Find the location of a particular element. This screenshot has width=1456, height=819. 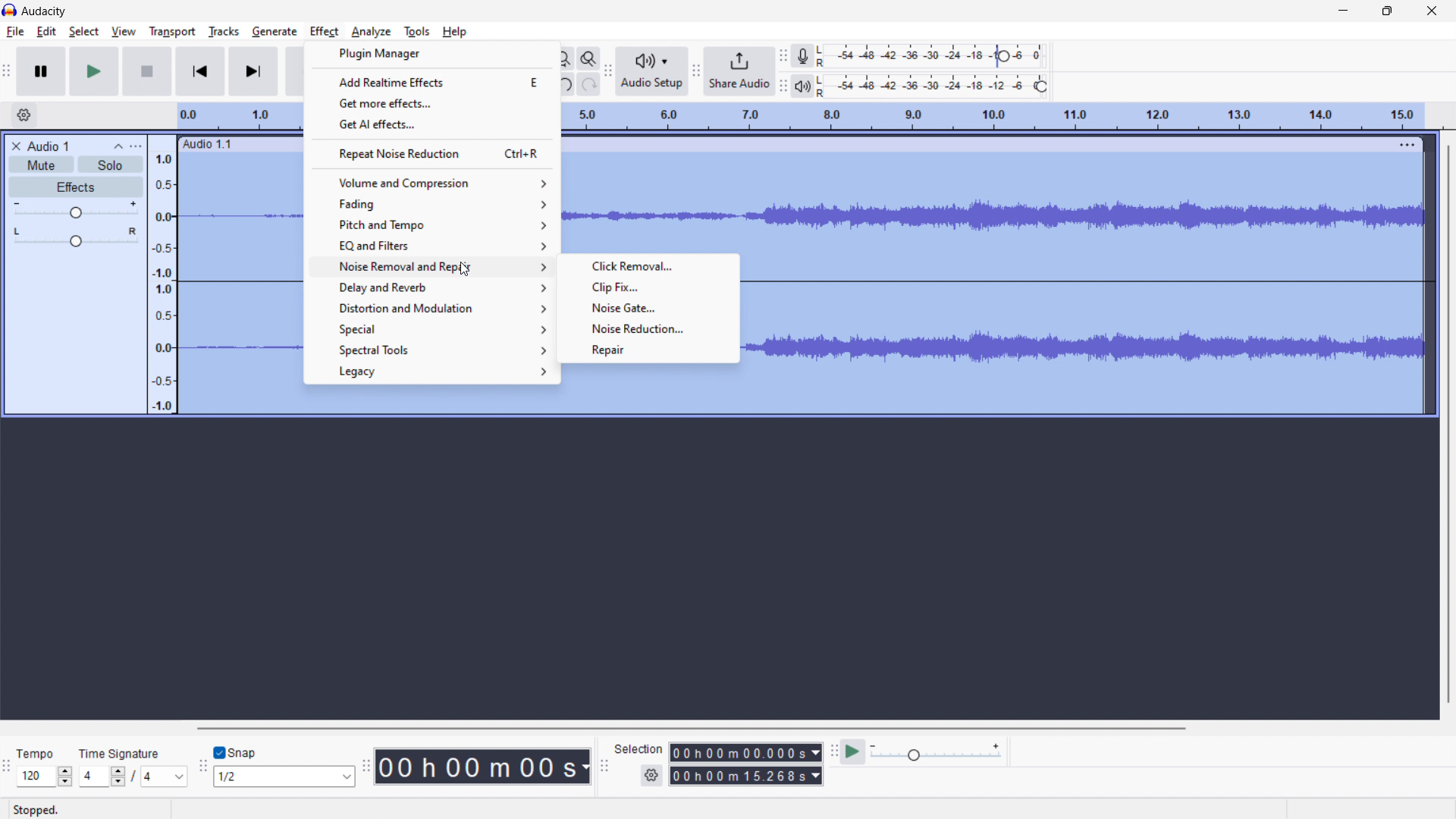

skip to end is located at coordinates (253, 71).